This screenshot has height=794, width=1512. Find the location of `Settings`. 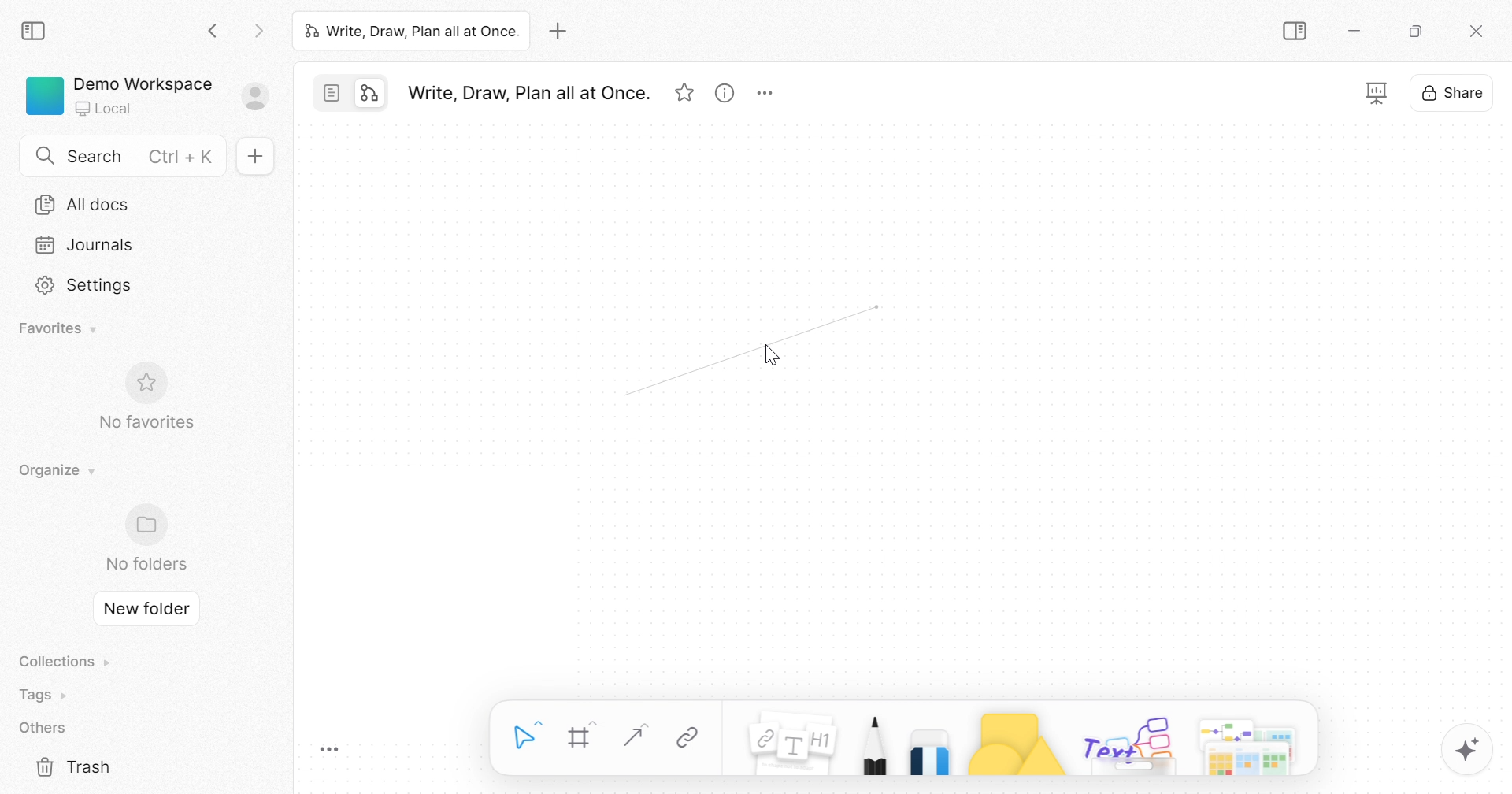

Settings is located at coordinates (85, 285).